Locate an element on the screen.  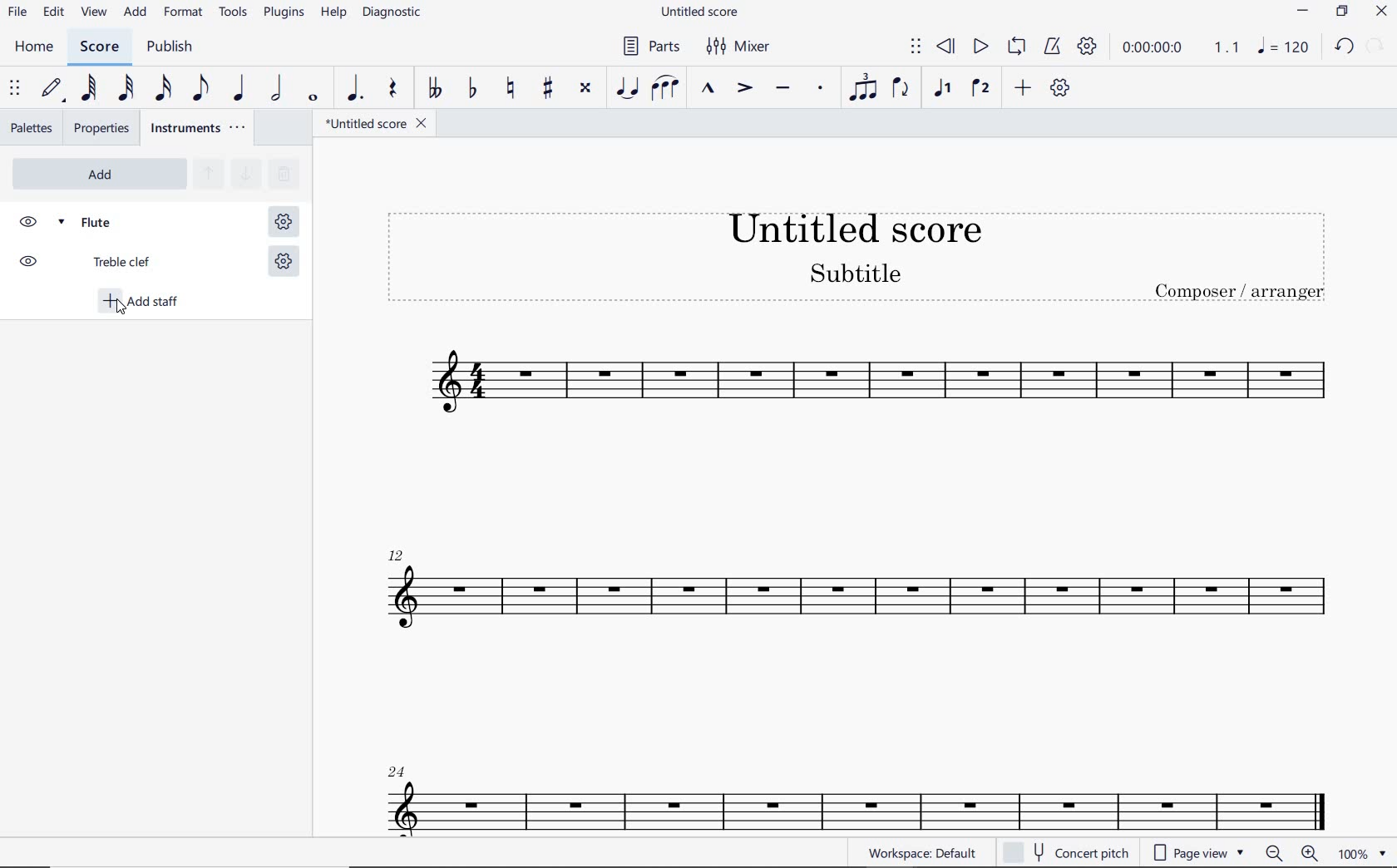
relode is located at coordinates (1376, 44).